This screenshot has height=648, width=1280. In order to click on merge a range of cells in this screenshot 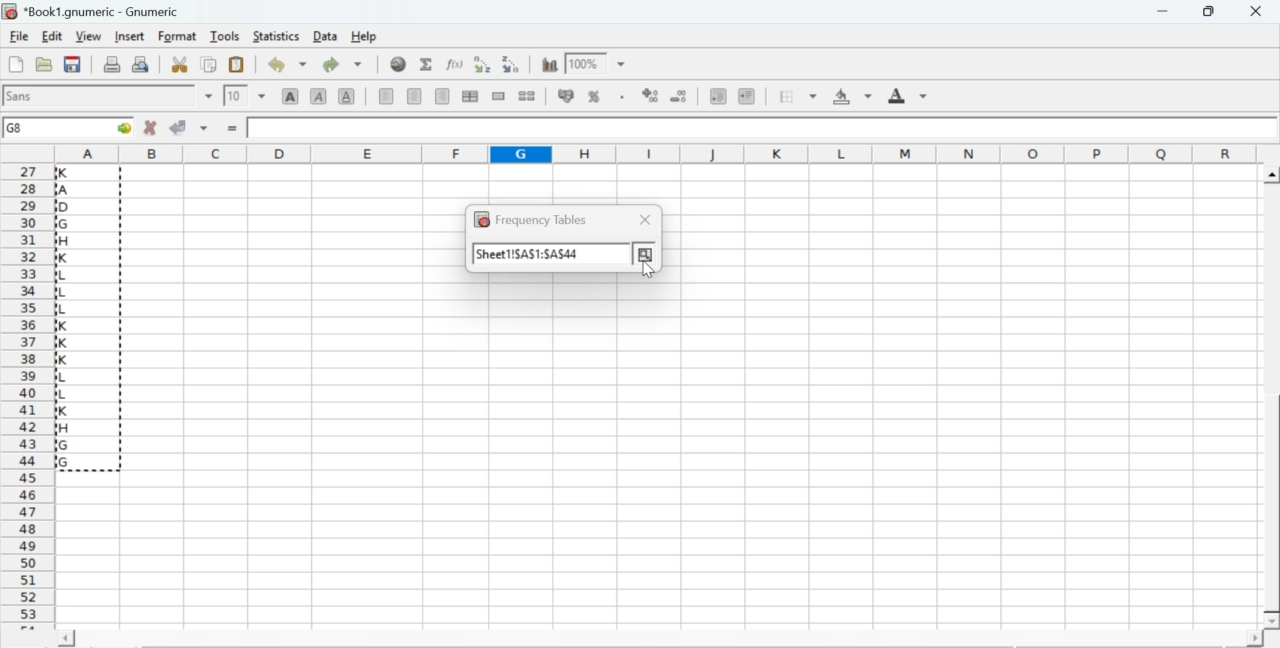, I will do `click(499, 96)`.